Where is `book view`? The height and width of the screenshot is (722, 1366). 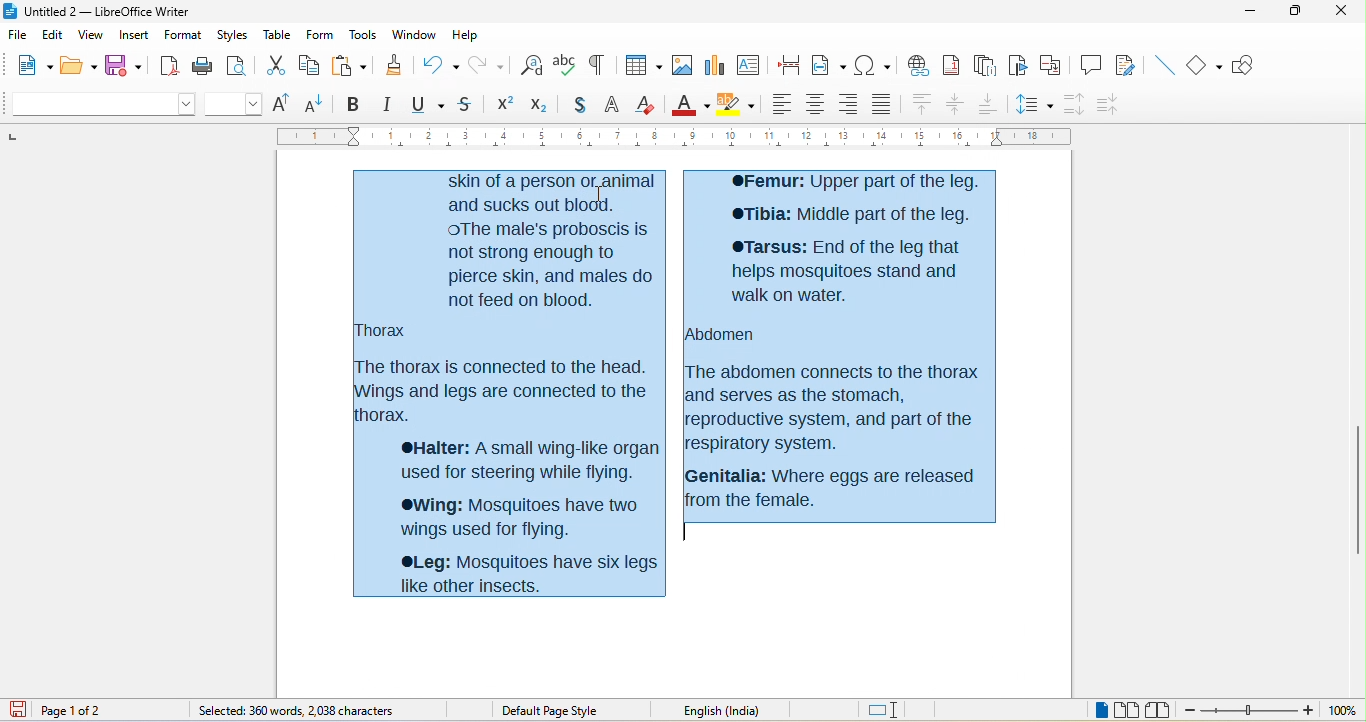 book view is located at coordinates (1158, 710).